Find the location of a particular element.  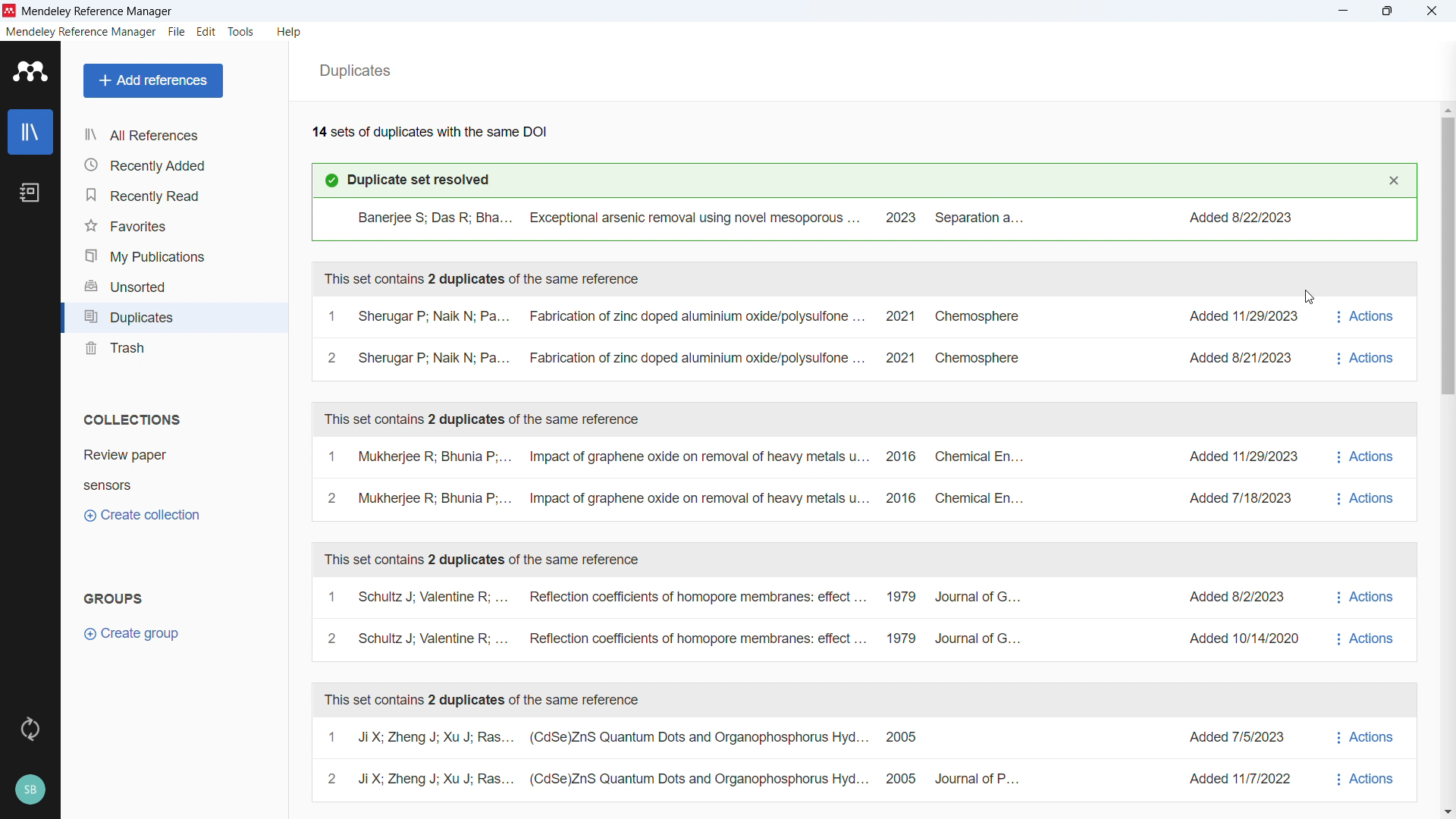

This set contains two duplicates of the same reference is located at coordinates (481, 559).